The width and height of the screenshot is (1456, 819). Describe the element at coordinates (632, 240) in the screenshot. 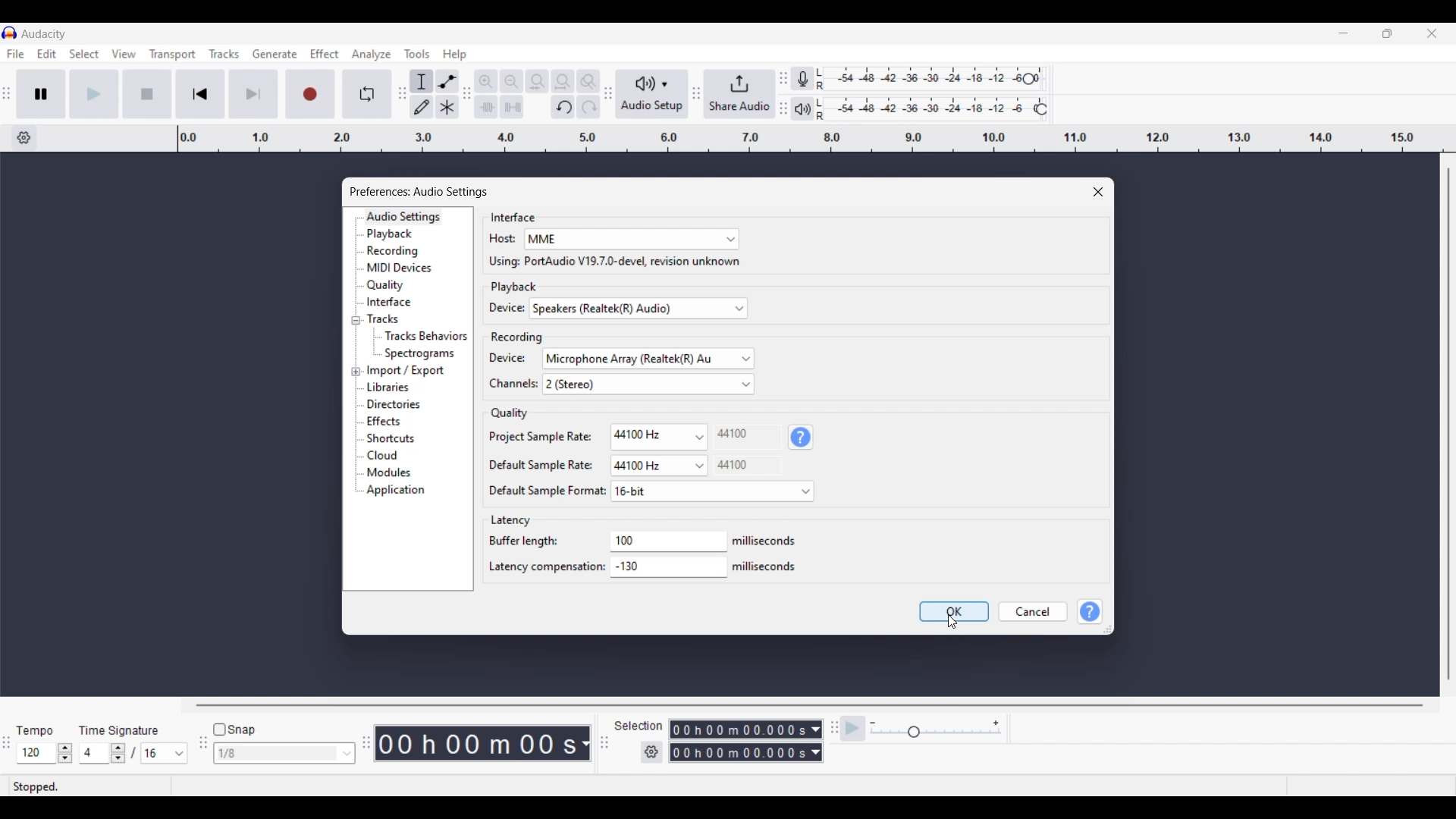

I see `Host options` at that location.